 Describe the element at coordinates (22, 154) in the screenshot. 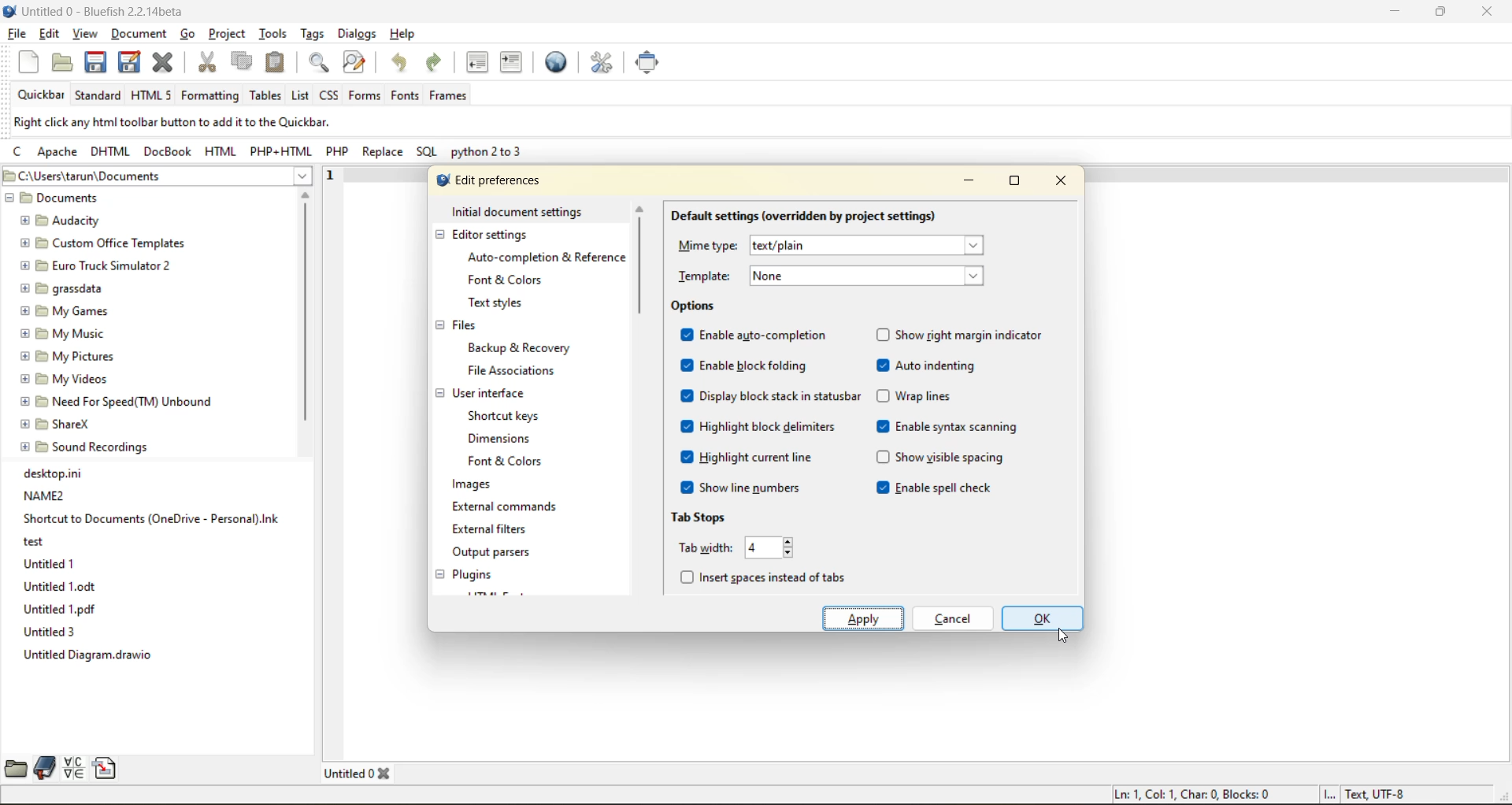

I see `c` at that location.